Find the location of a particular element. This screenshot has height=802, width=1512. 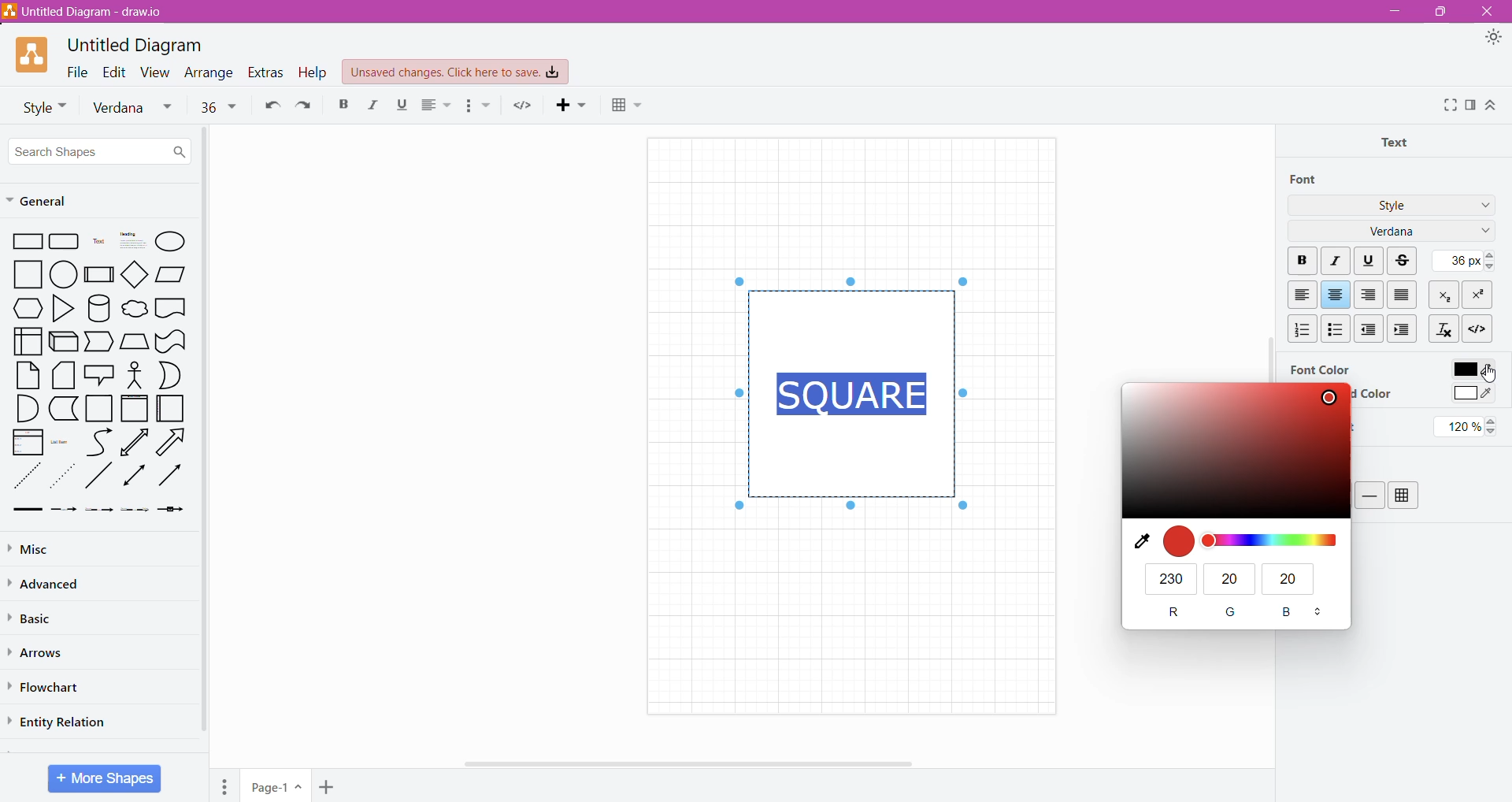

Set Font Size is located at coordinates (1462, 260).